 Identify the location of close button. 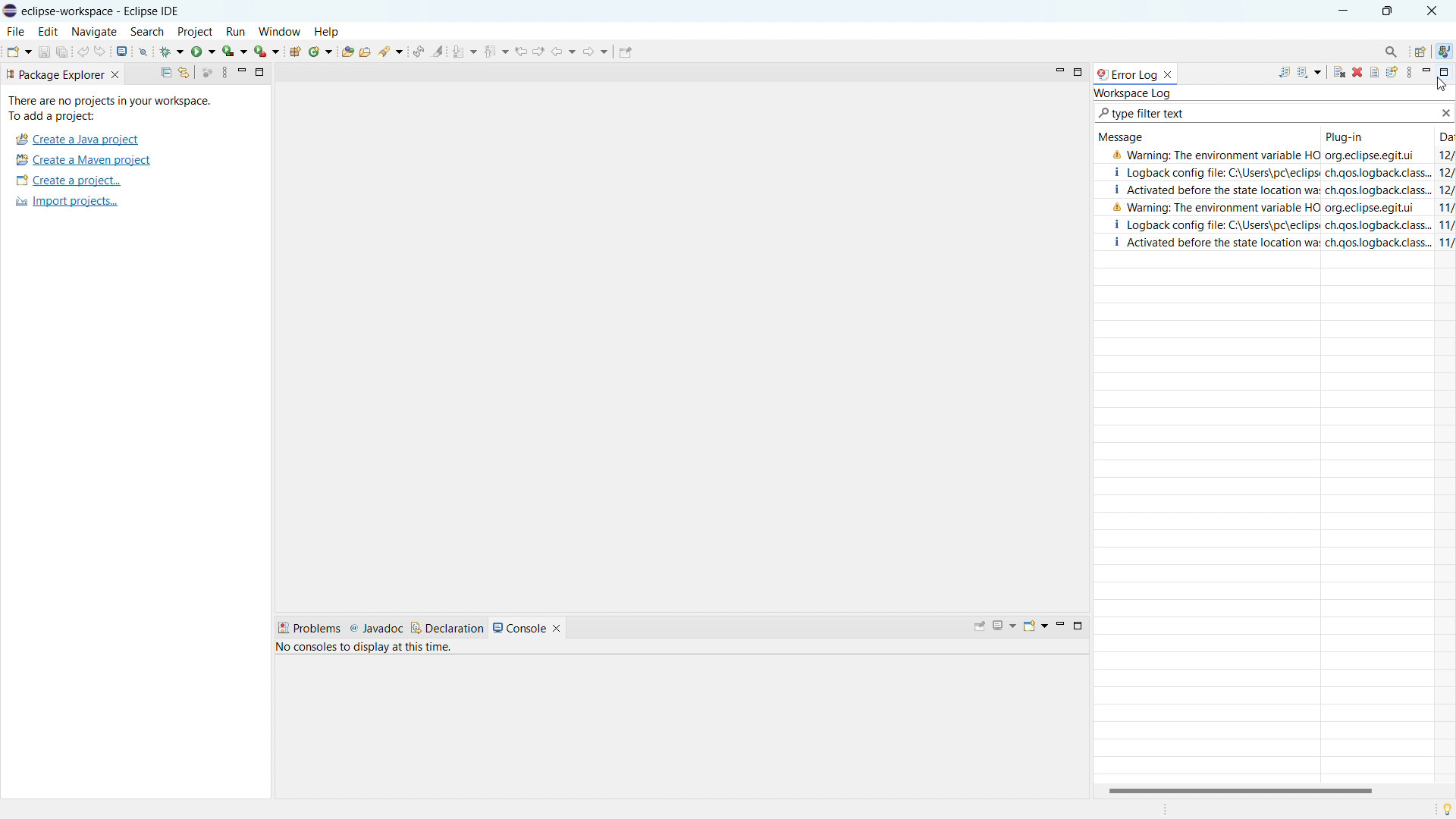
(1436, 11).